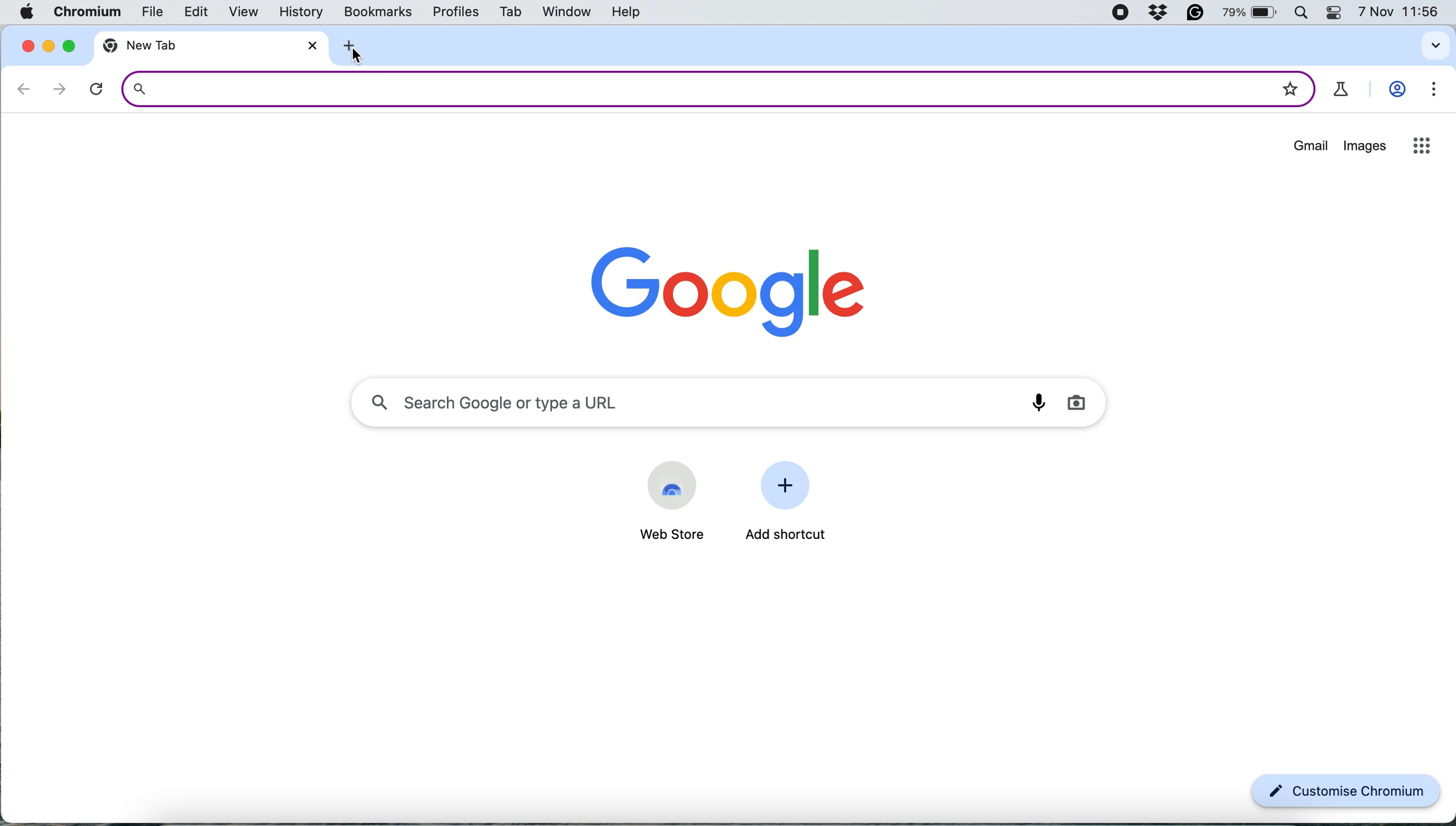  I want to click on chromium, so click(86, 12).